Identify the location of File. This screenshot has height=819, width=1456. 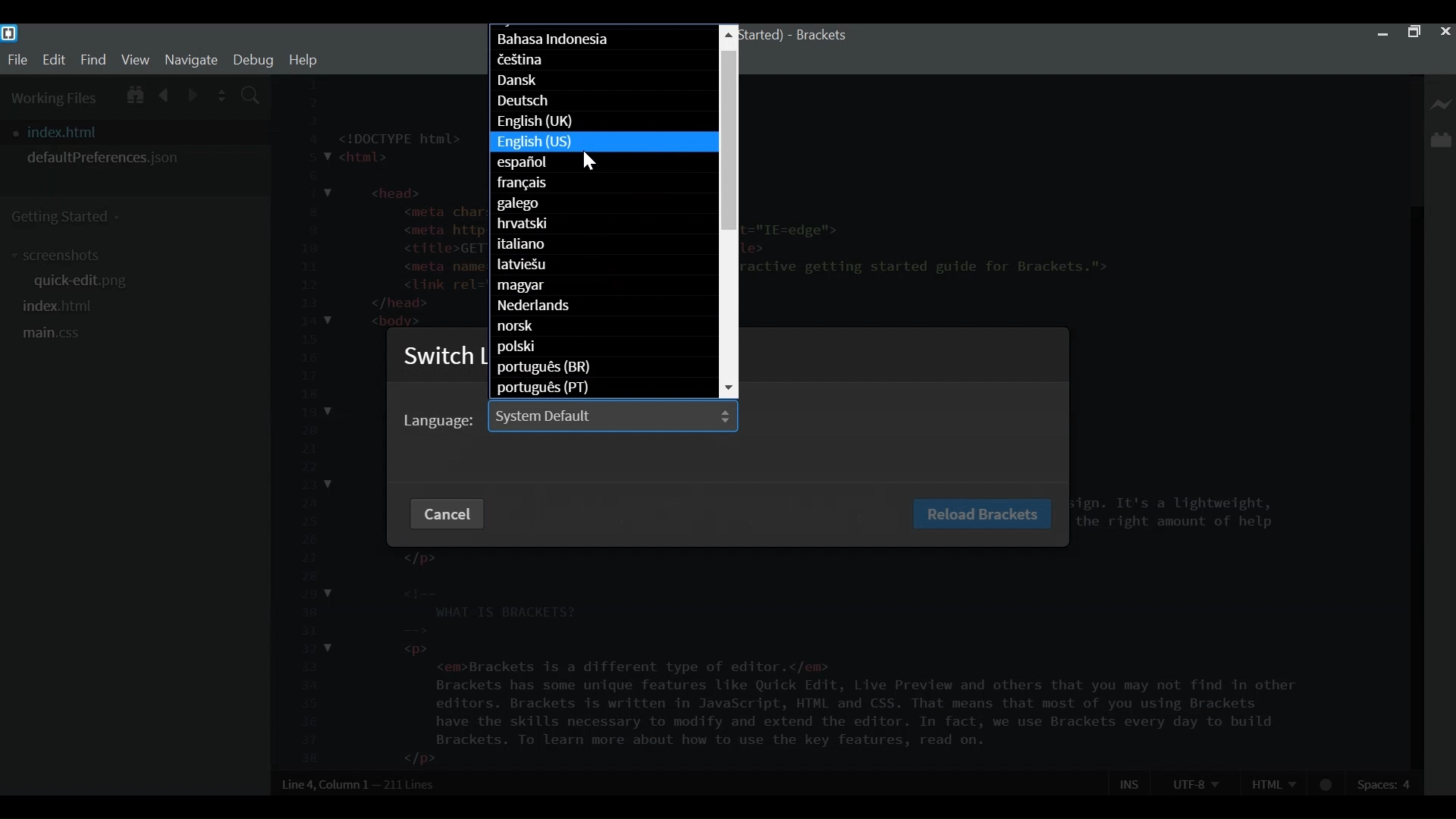
(17, 60).